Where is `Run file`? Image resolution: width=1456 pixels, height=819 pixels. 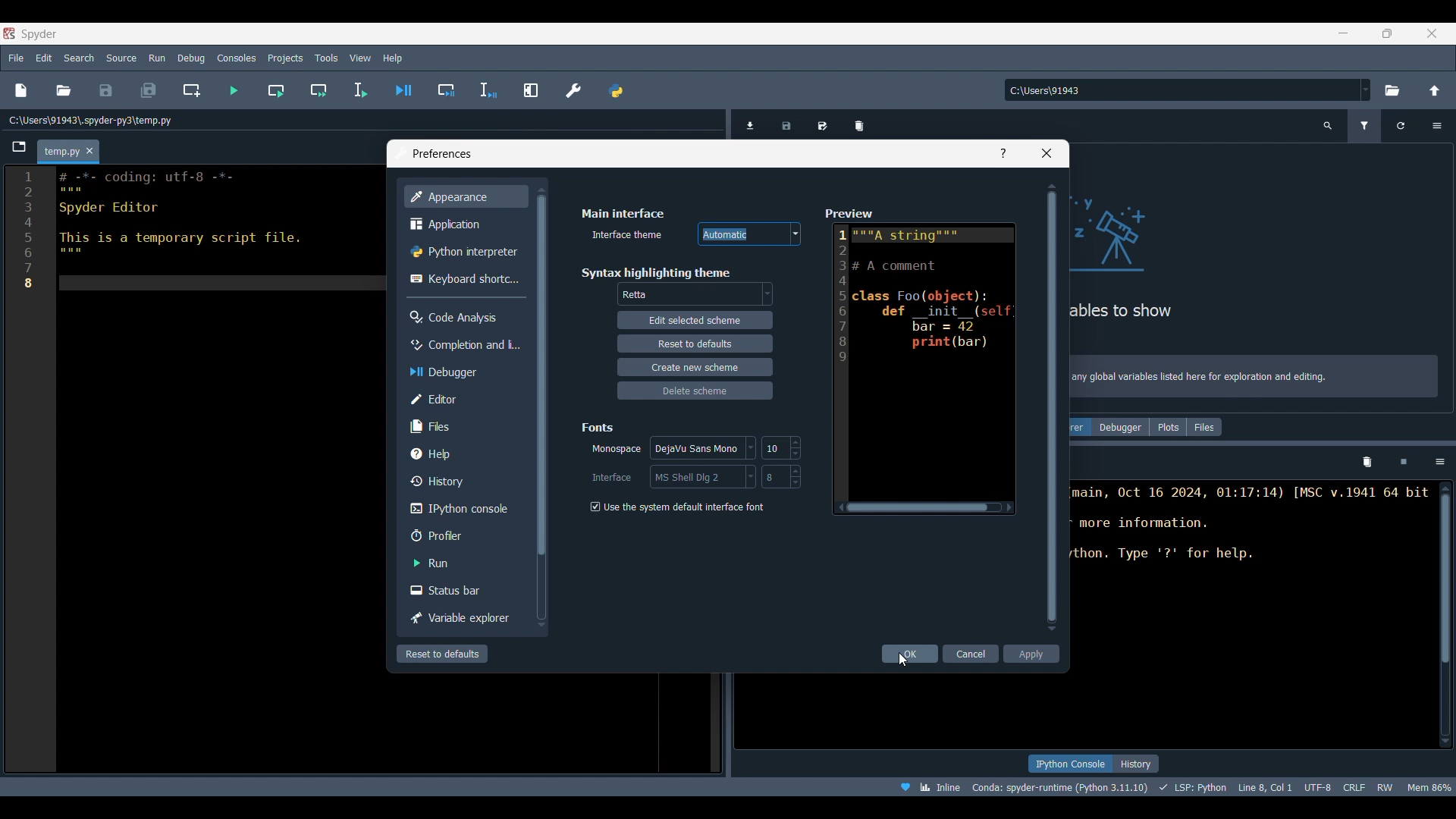 Run file is located at coordinates (234, 90).